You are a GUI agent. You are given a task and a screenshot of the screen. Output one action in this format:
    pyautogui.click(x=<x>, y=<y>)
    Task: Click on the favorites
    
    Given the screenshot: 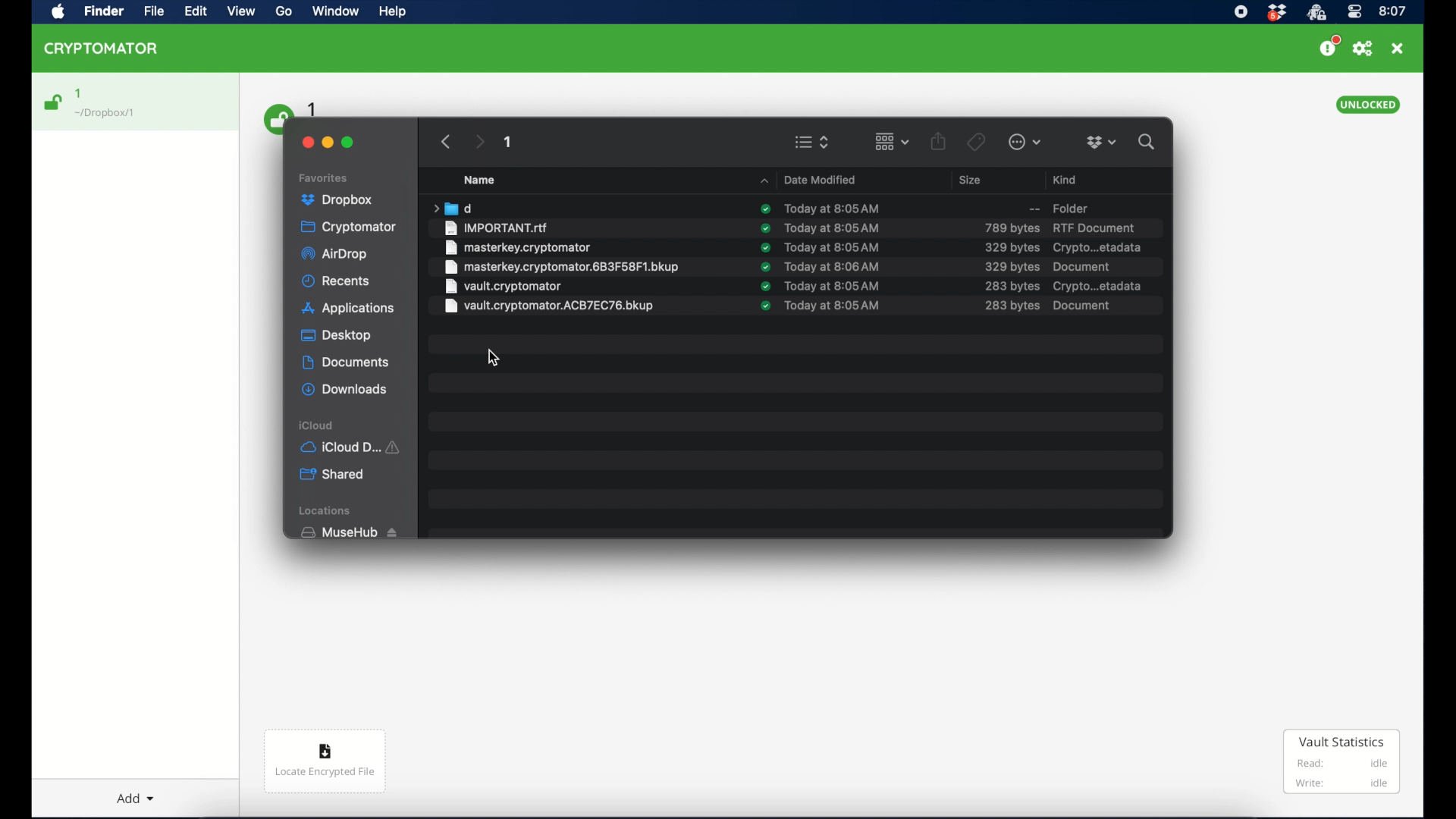 What is the action you would take?
    pyautogui.click(x=325, y=176)
    